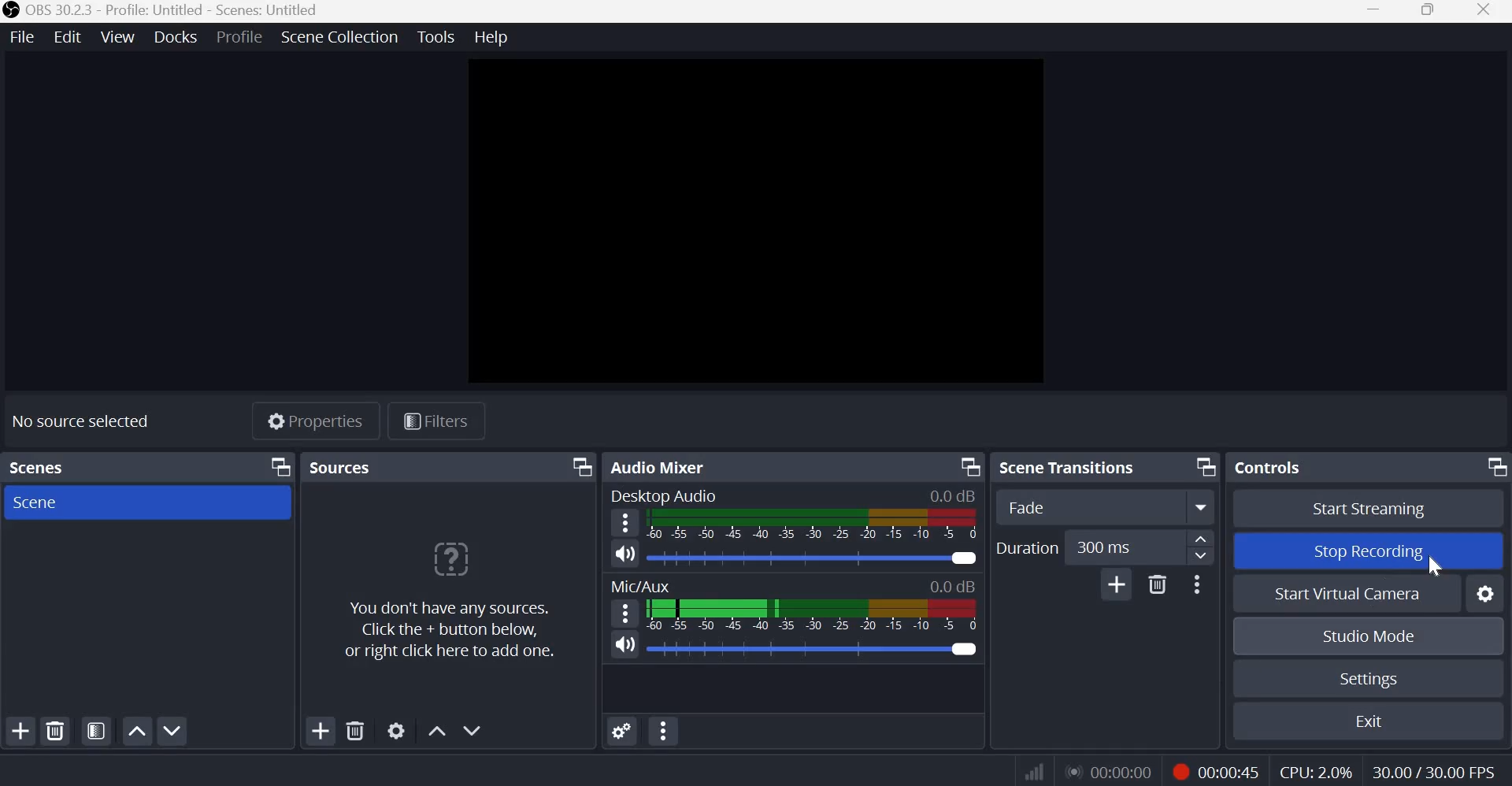  What do you see at coordinates (642, 584) in the screenshot?
I see `MIc/Aux` at bounding box center [642, 584].